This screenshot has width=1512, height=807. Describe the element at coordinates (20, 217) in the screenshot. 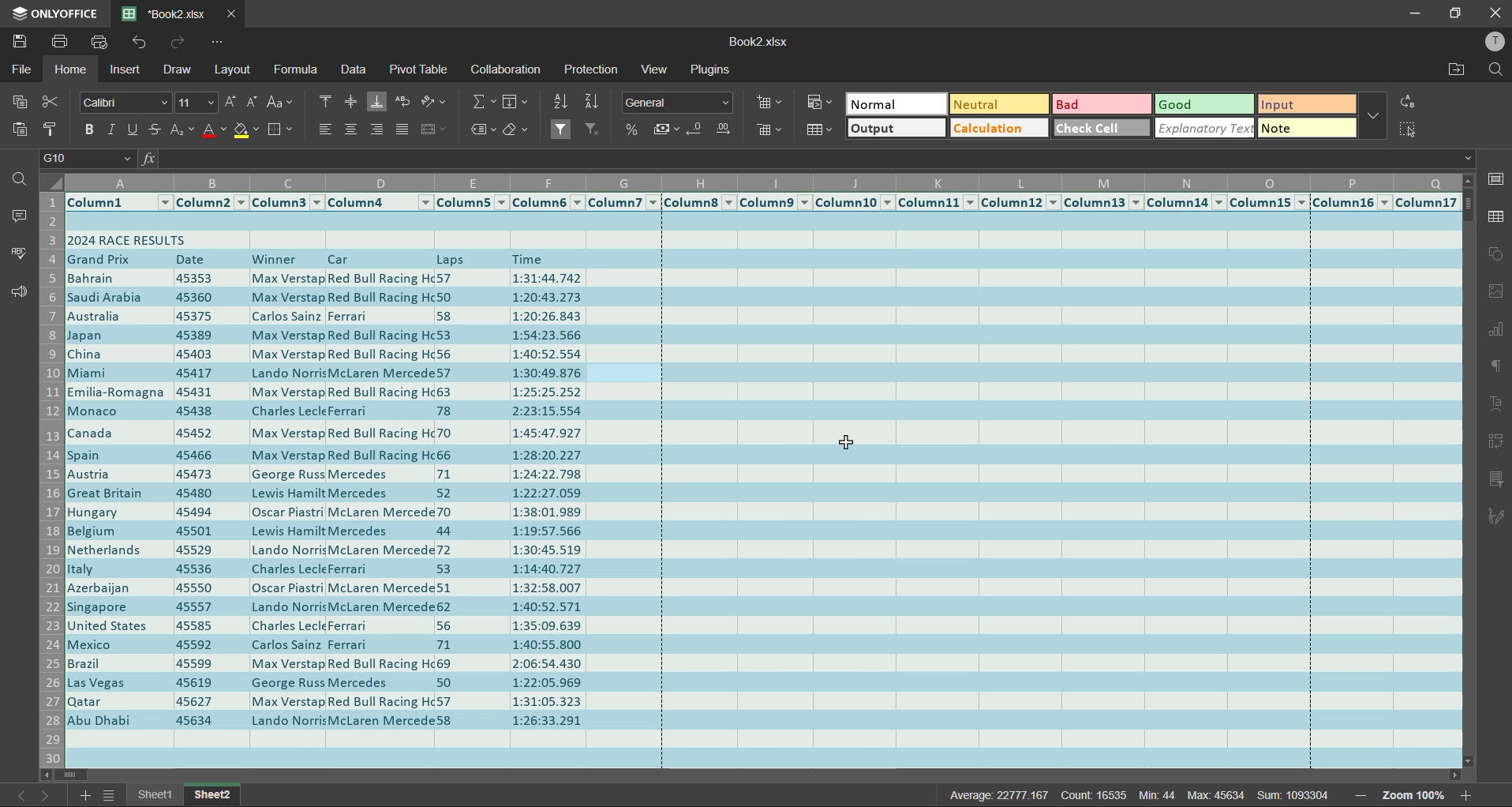

I see `comments` at that location.